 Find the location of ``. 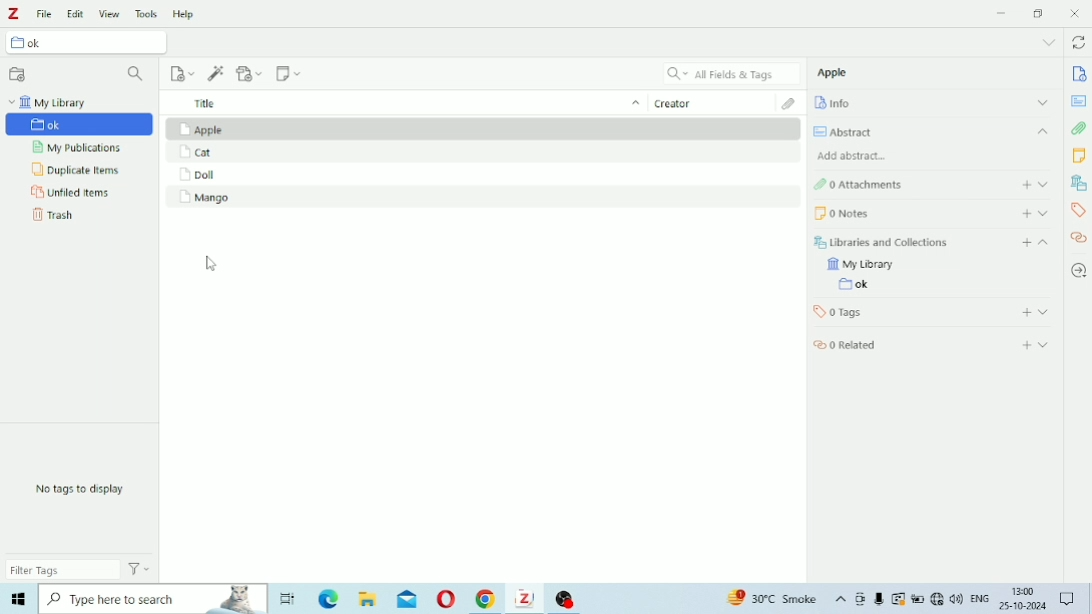

 is located at coordinates (16, 600).